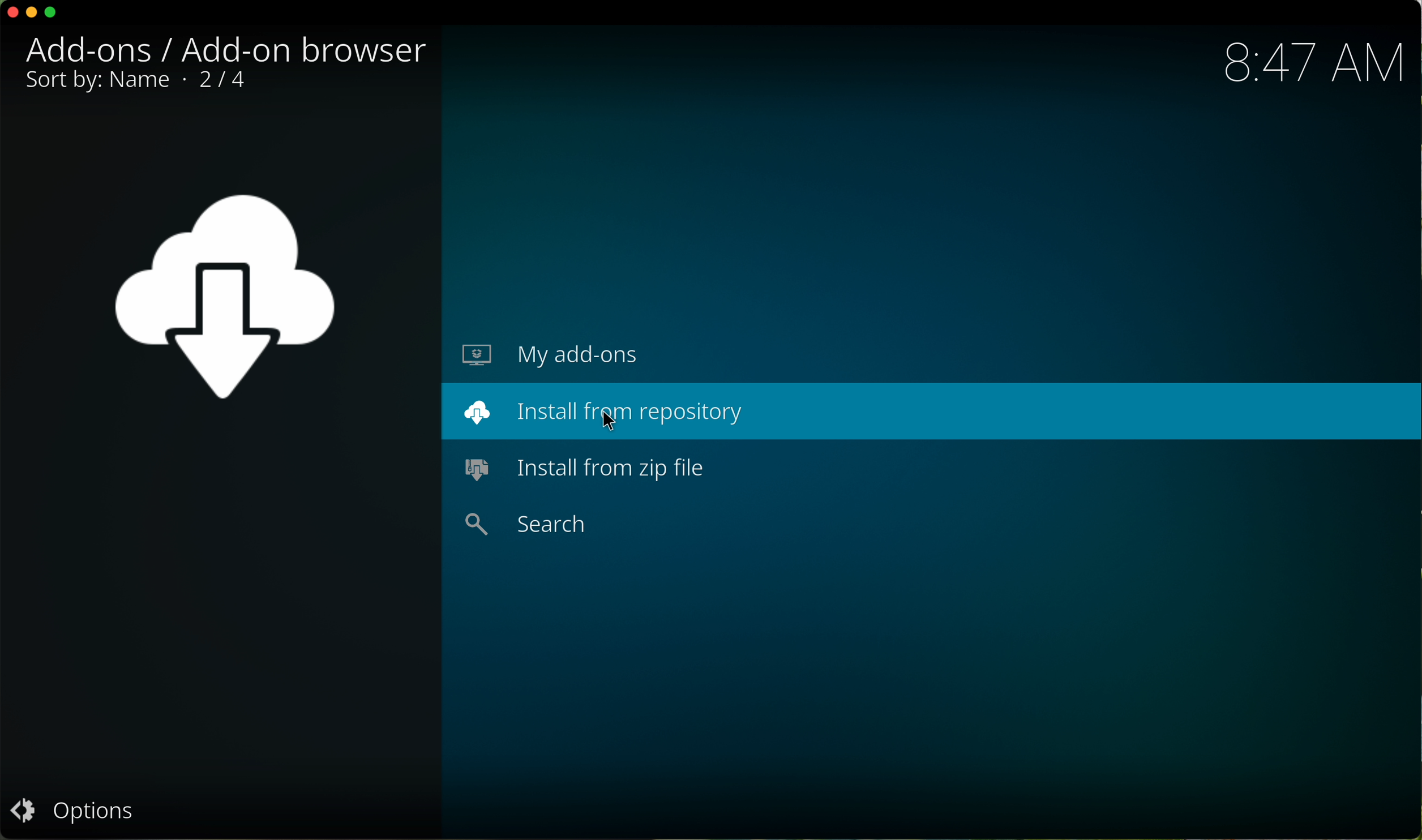 Image resolution: width=1422 pixels, height=840 pixels. Describe the element at coordinates (551, 354) in the screenshot. I see `my add-ons` at that location.